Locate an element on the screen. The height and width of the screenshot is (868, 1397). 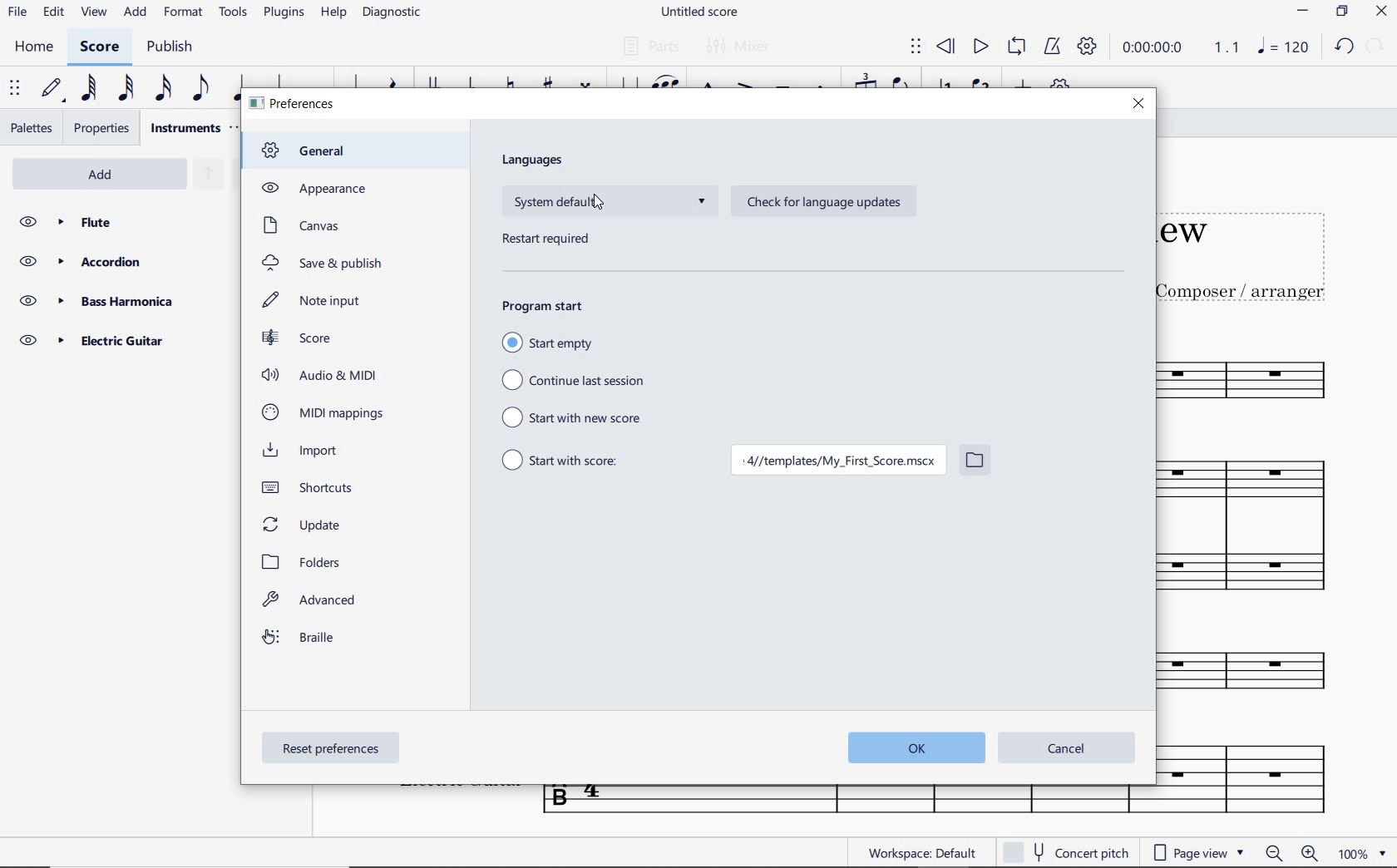
cancel is located at coordinates (1066, 748).